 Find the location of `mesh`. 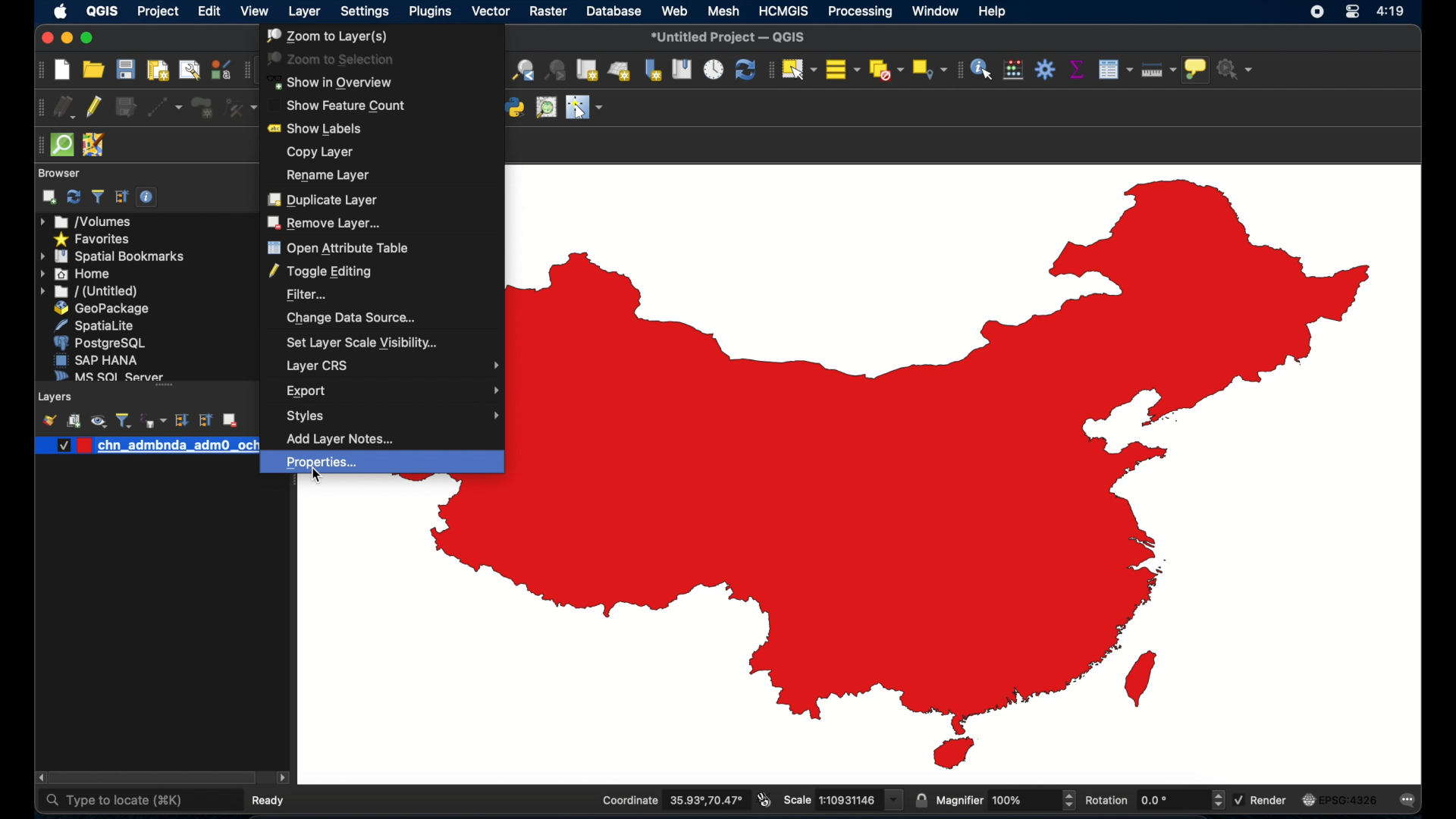

mesh is located at coordinates (723, 11).